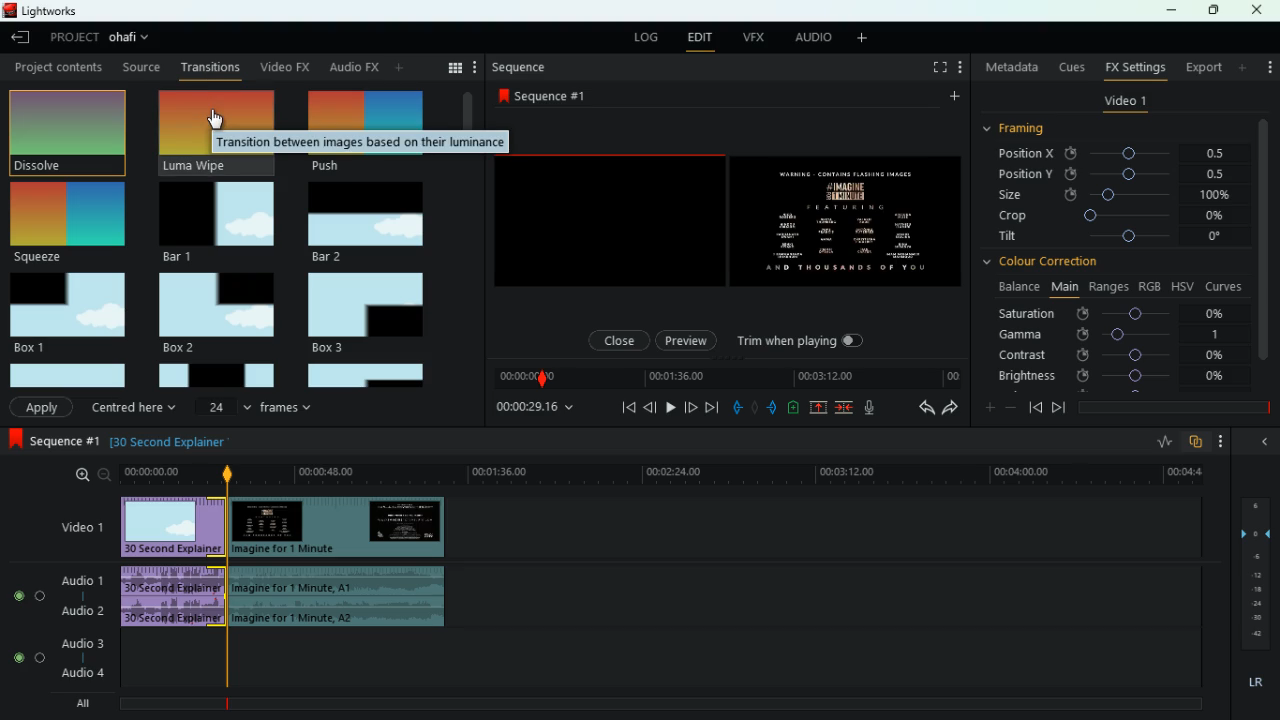  I want to click on audio 3, so click(79, 645).